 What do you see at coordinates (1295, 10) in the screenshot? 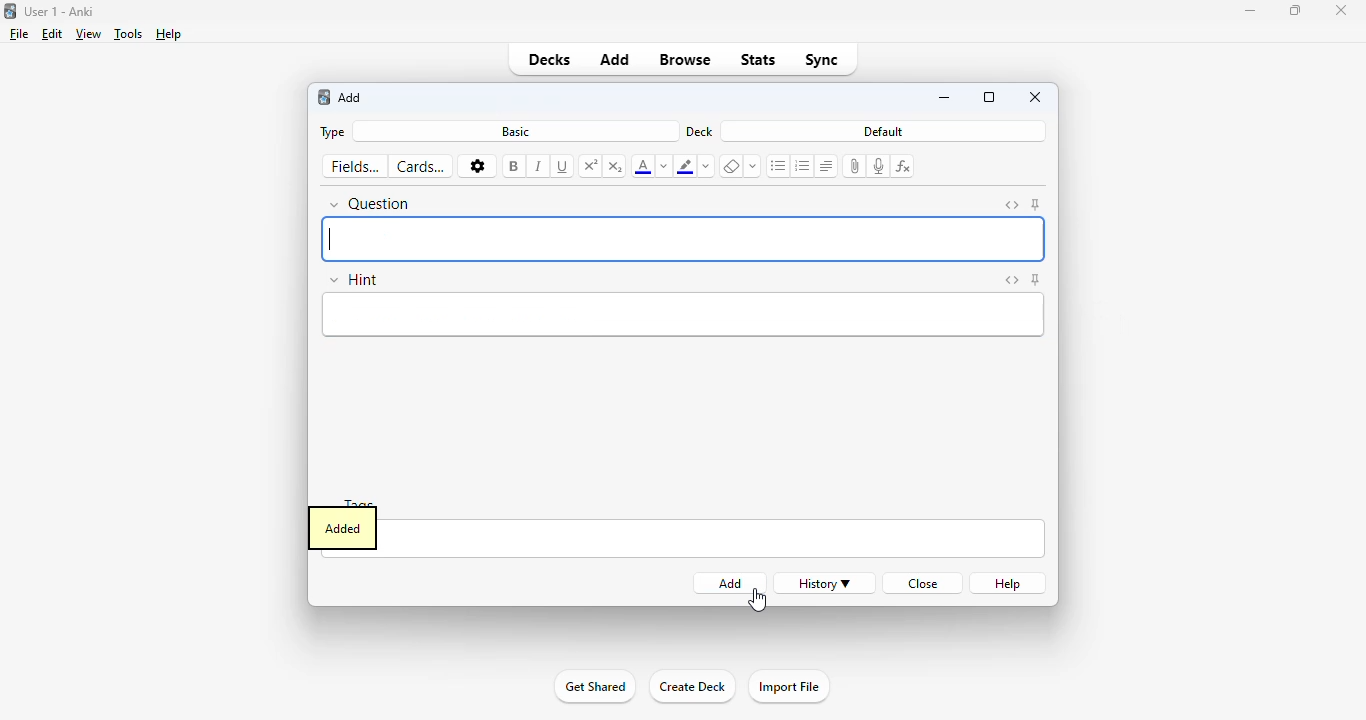
I see `maximize` at bounding box center [1295, 10].